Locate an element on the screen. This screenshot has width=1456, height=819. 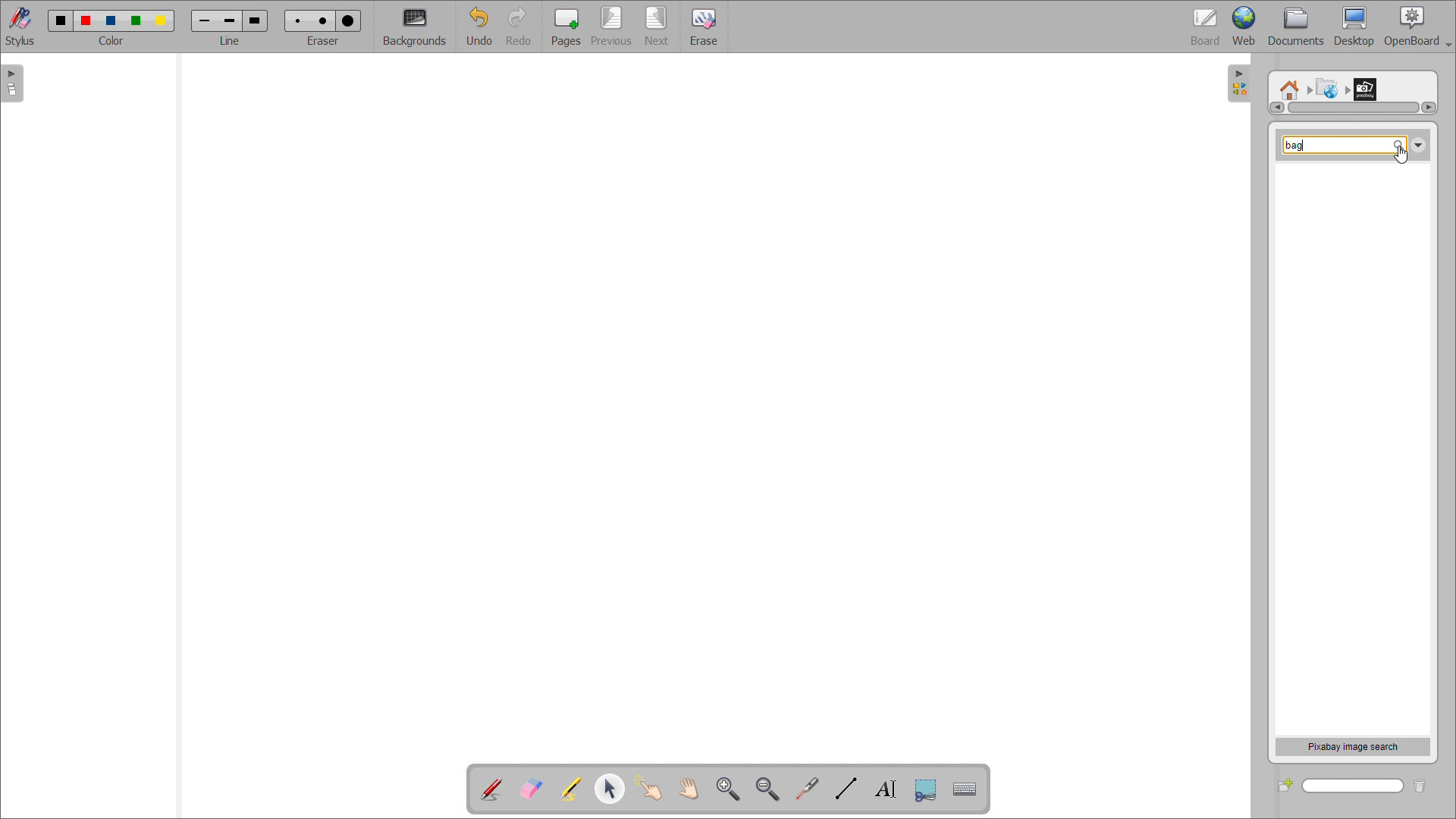
highlighter is located at coordinates (570, 789).